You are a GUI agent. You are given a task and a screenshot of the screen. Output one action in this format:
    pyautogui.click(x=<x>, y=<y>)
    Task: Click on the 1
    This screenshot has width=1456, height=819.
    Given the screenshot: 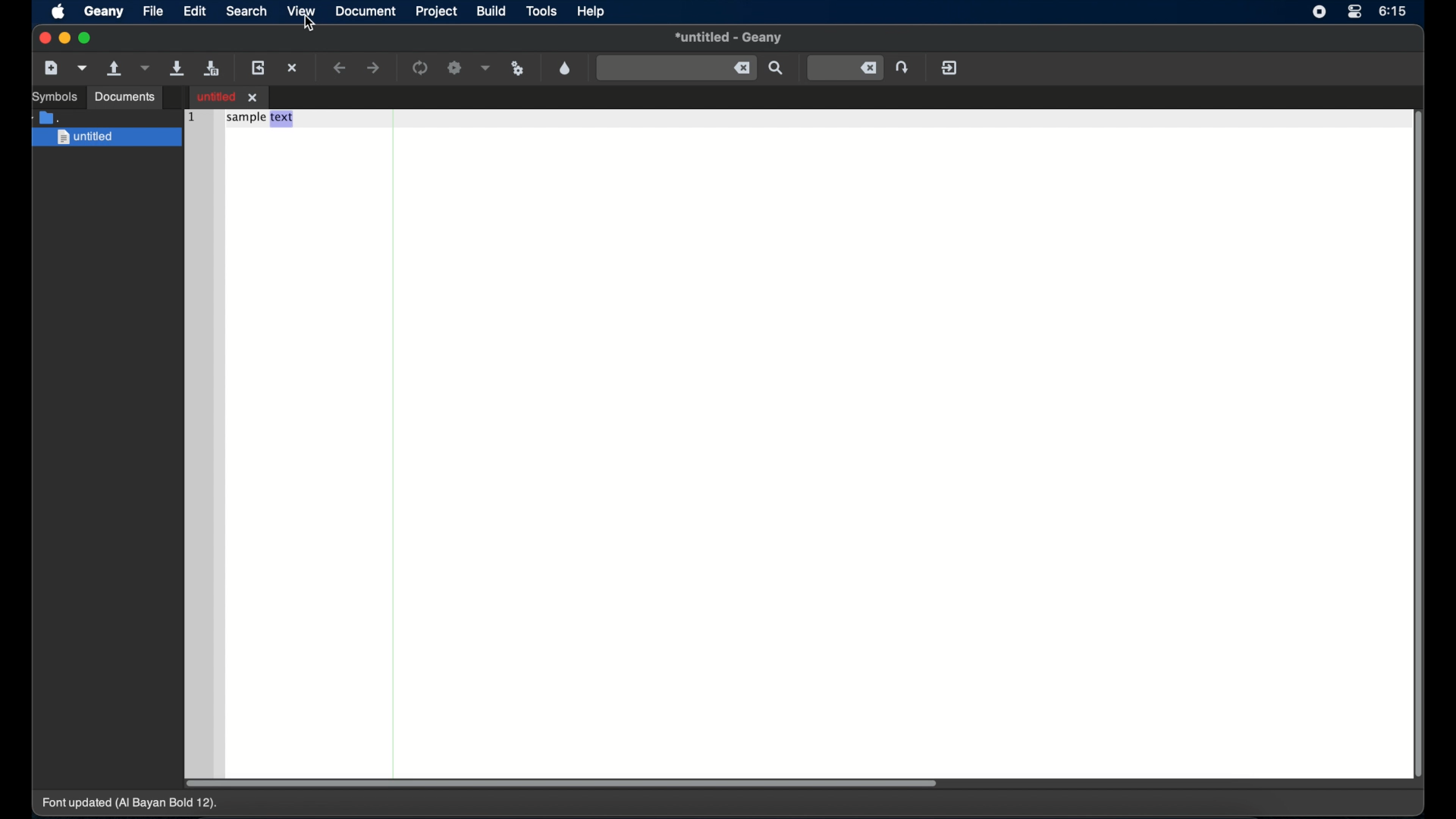 What is the action you would take?
    pyautogui.click(x=190, y=115)
    